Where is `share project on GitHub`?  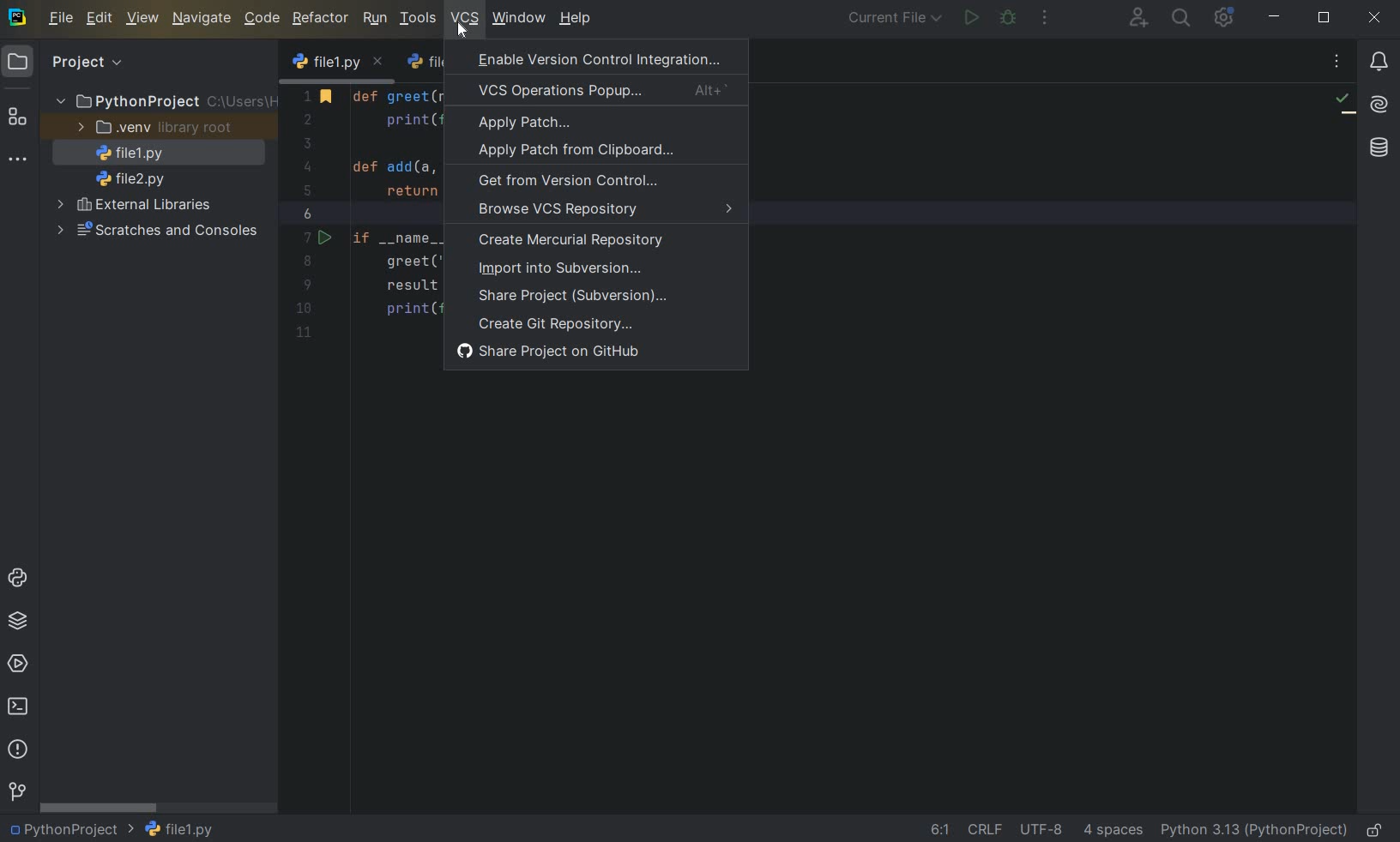 share project on GitHub is located at coordinates (555, 352).